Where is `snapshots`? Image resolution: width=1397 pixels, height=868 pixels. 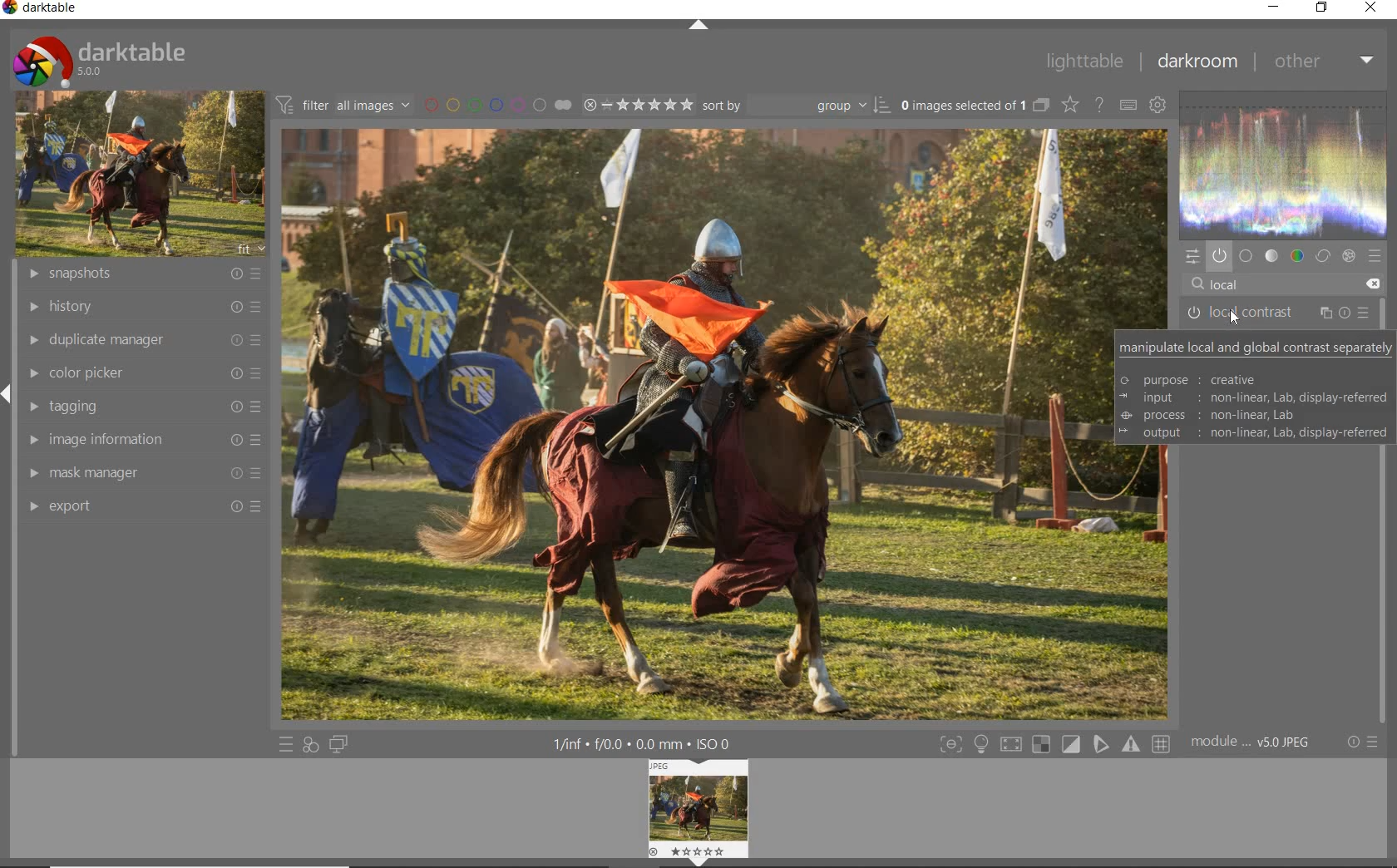 snapshots is located at coordinates (142, 275).